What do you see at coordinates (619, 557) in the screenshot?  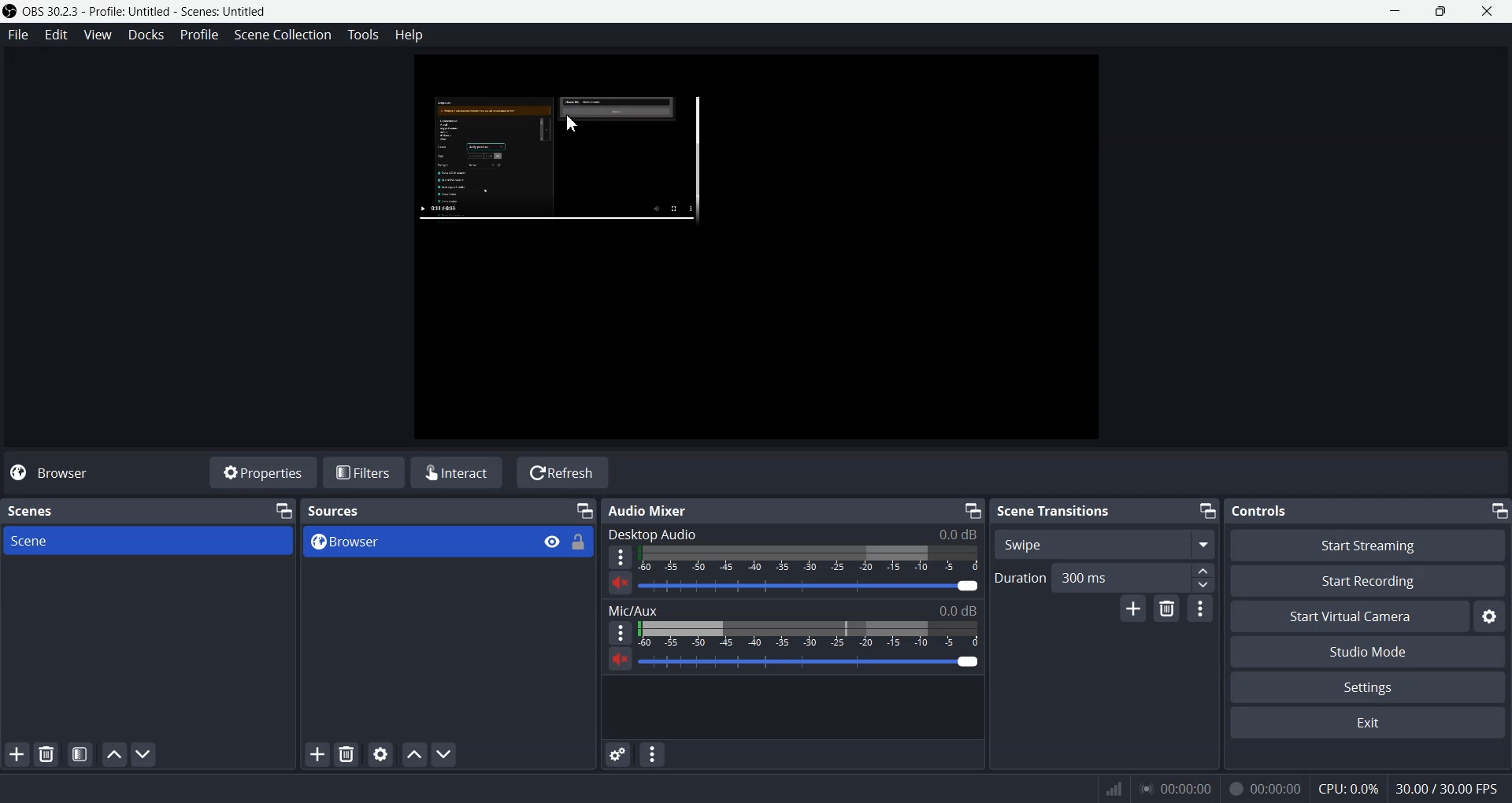 I see `More` at bounding box center [619, 557].